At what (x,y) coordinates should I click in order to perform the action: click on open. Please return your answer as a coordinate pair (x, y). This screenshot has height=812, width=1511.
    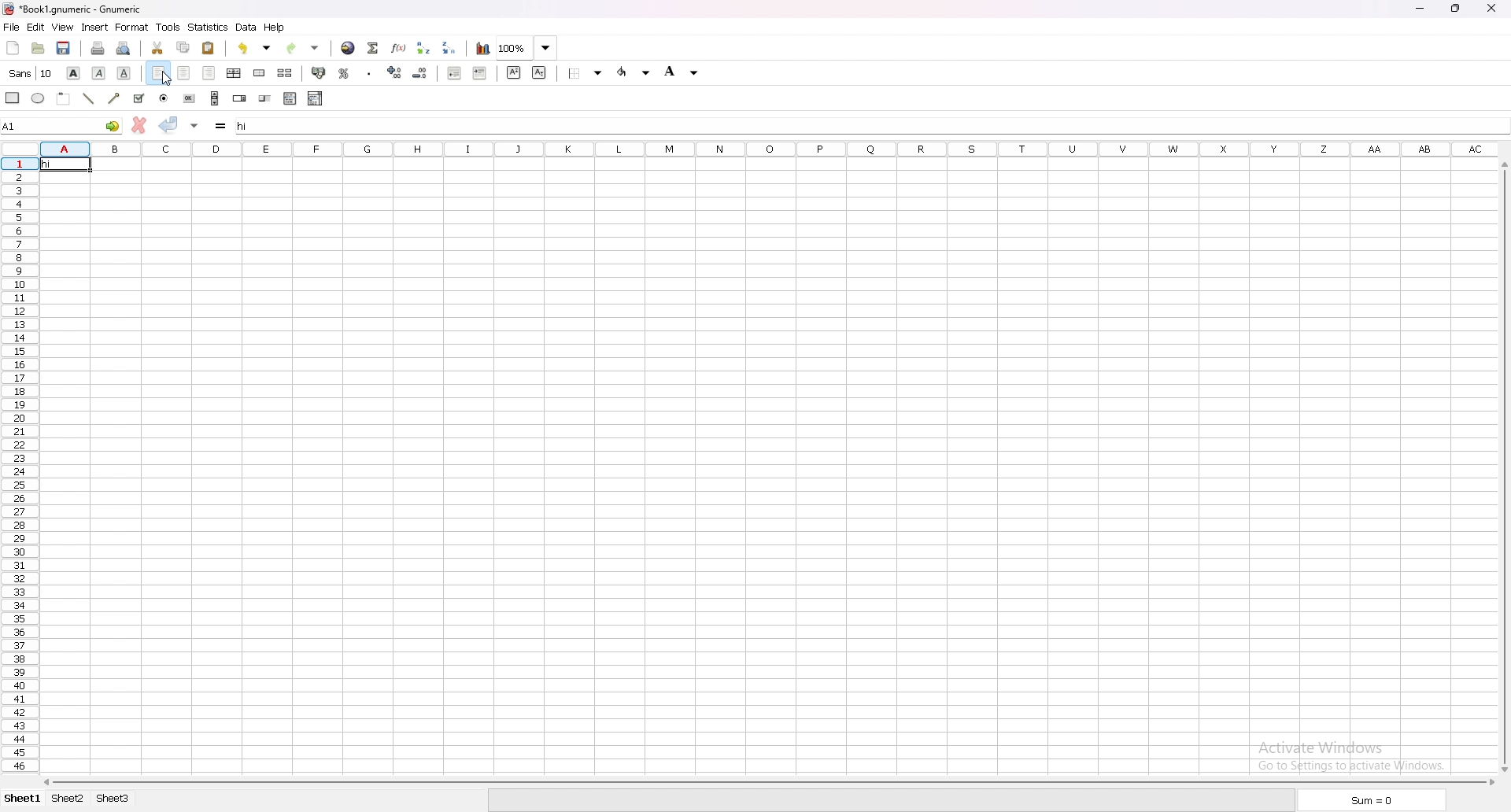
    Looking at the image, I should click on (39, 49).